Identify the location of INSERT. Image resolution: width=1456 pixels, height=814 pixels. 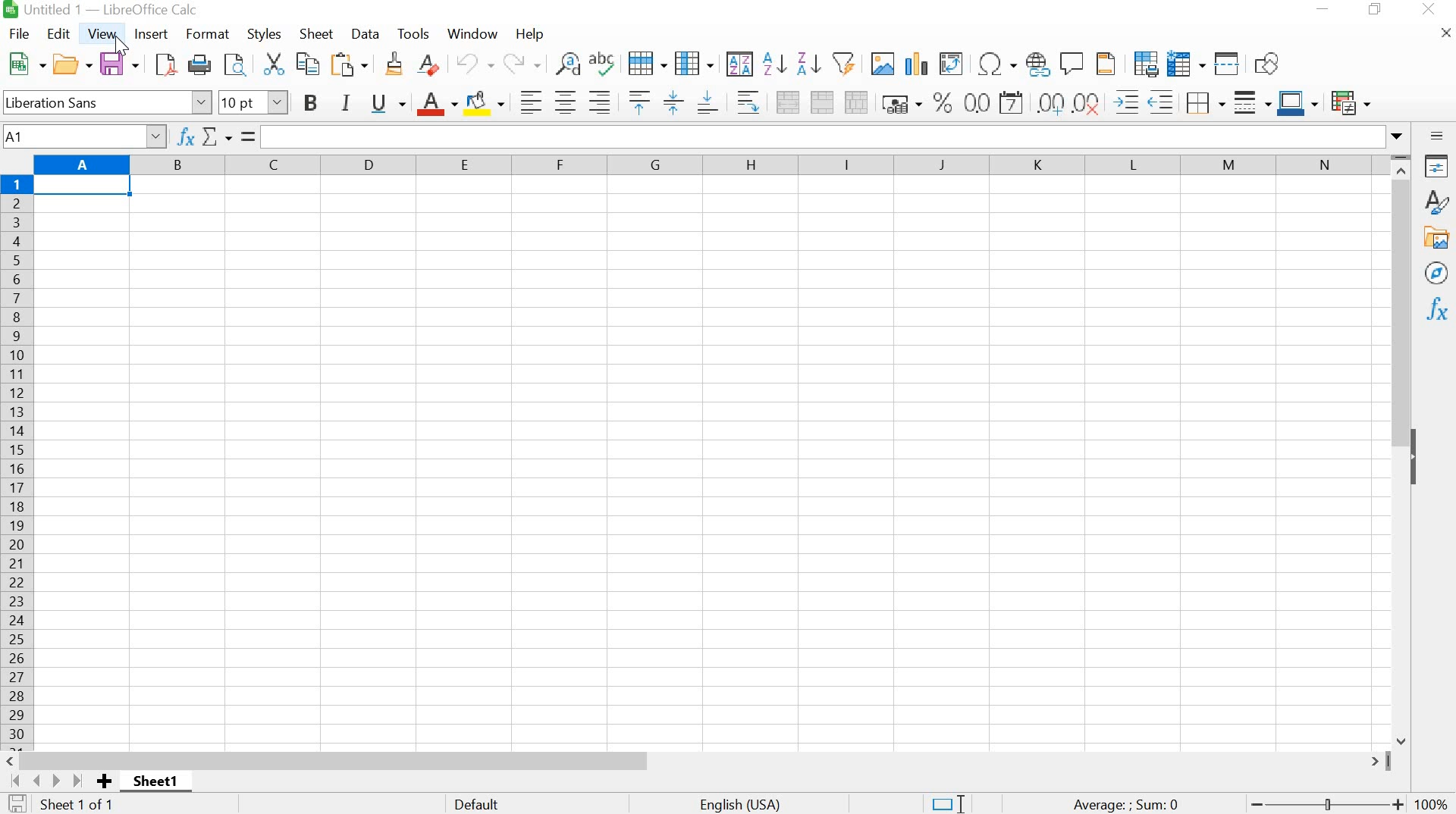
(152, 34).